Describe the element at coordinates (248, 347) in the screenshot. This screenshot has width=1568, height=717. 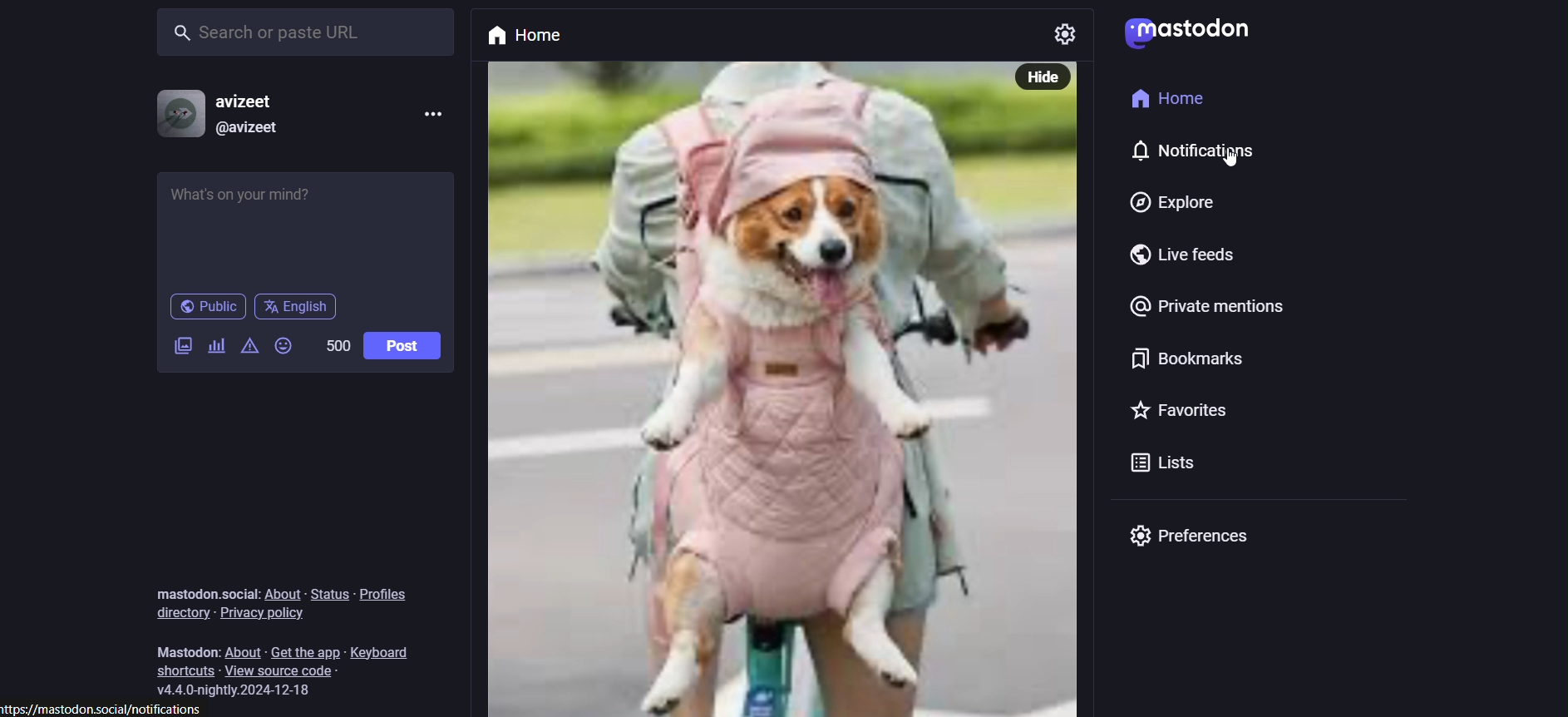
I see `content warning` at that location.